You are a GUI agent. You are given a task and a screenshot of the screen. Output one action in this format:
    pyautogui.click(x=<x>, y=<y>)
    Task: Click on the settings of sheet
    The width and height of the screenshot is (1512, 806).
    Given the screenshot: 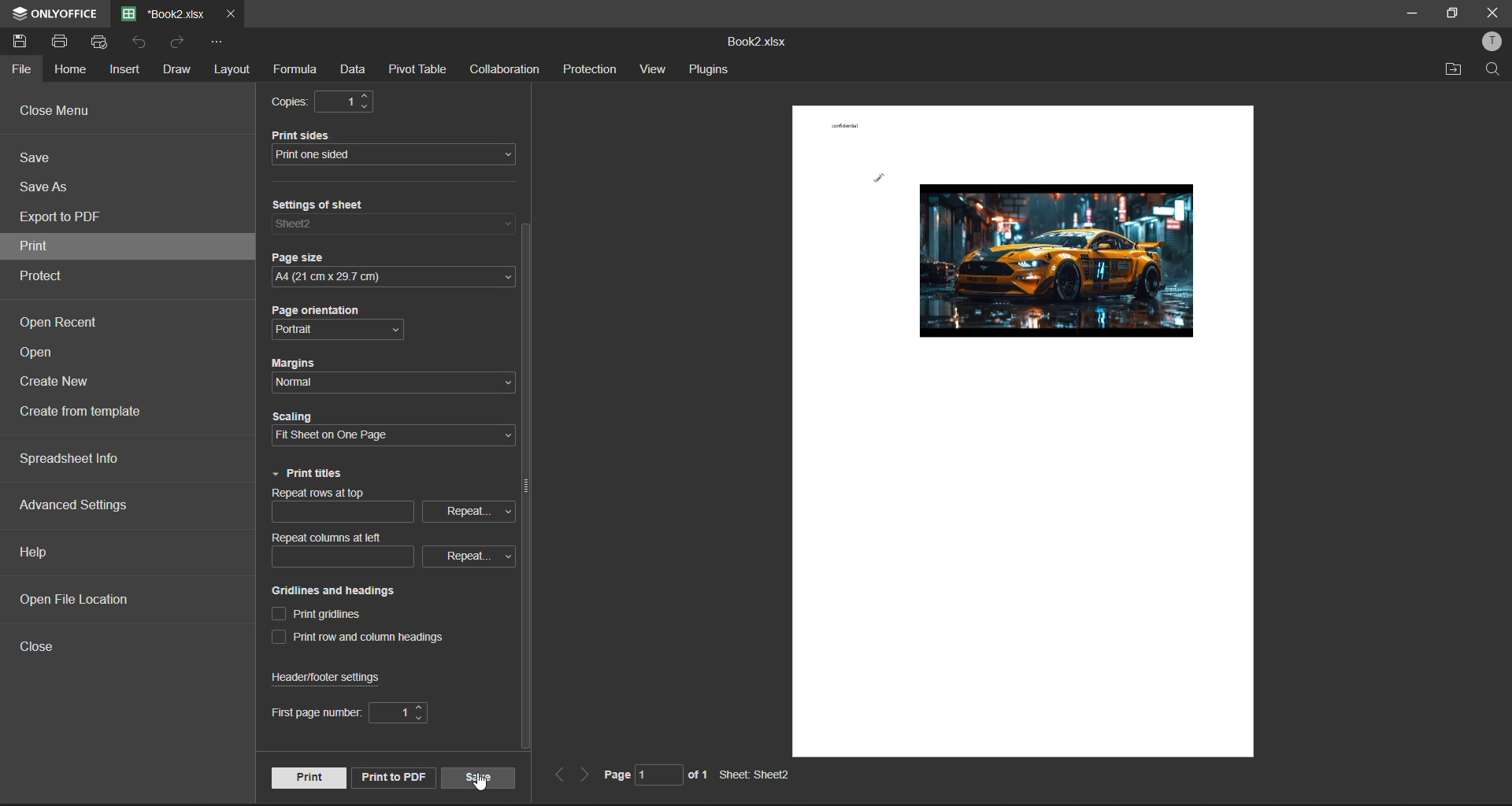 What is the action you would take?
    pyautogui.click(x=395, y=220)
    